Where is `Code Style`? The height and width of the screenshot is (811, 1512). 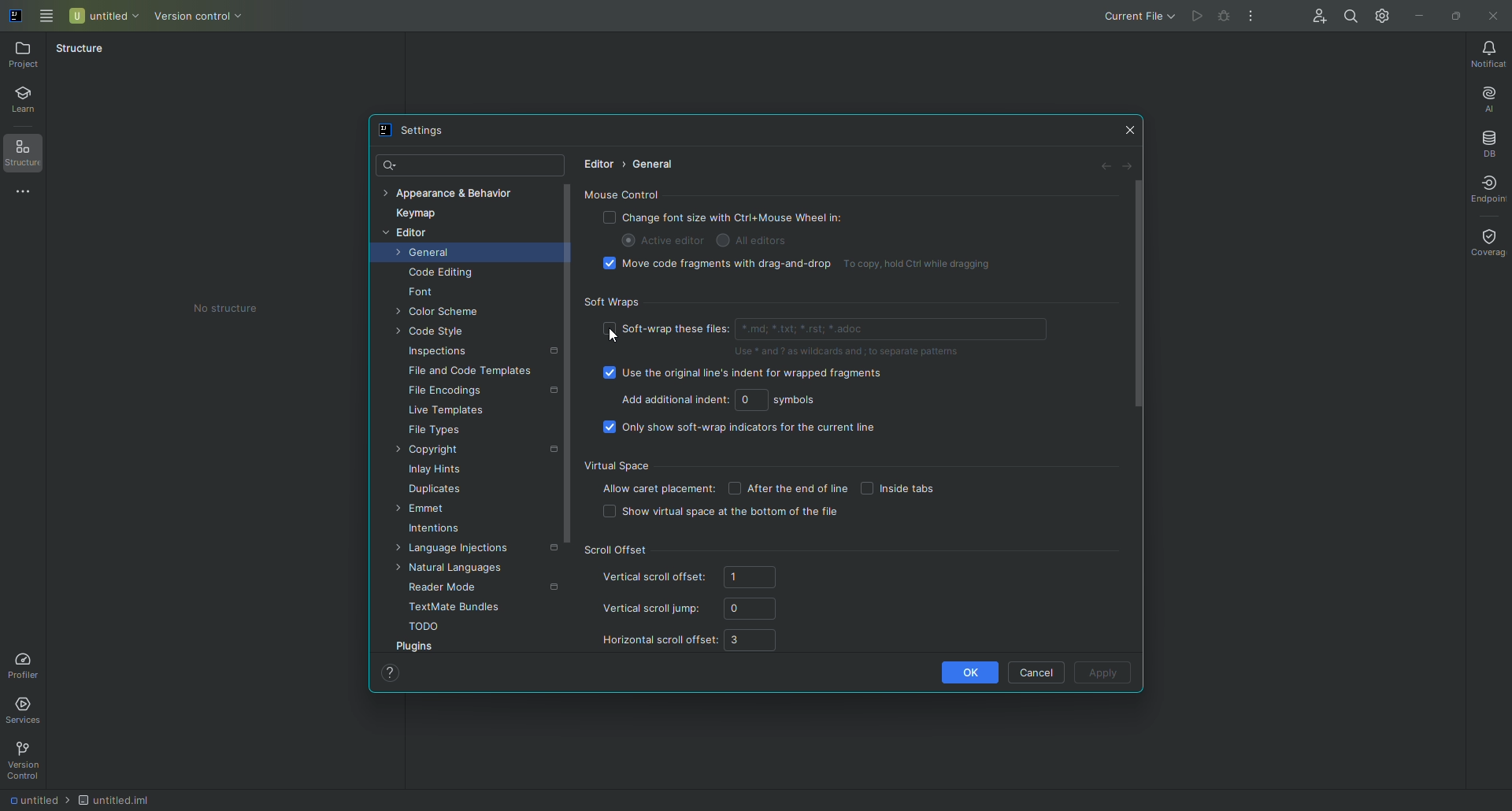 Code Style is located at coordinates (432, 334).